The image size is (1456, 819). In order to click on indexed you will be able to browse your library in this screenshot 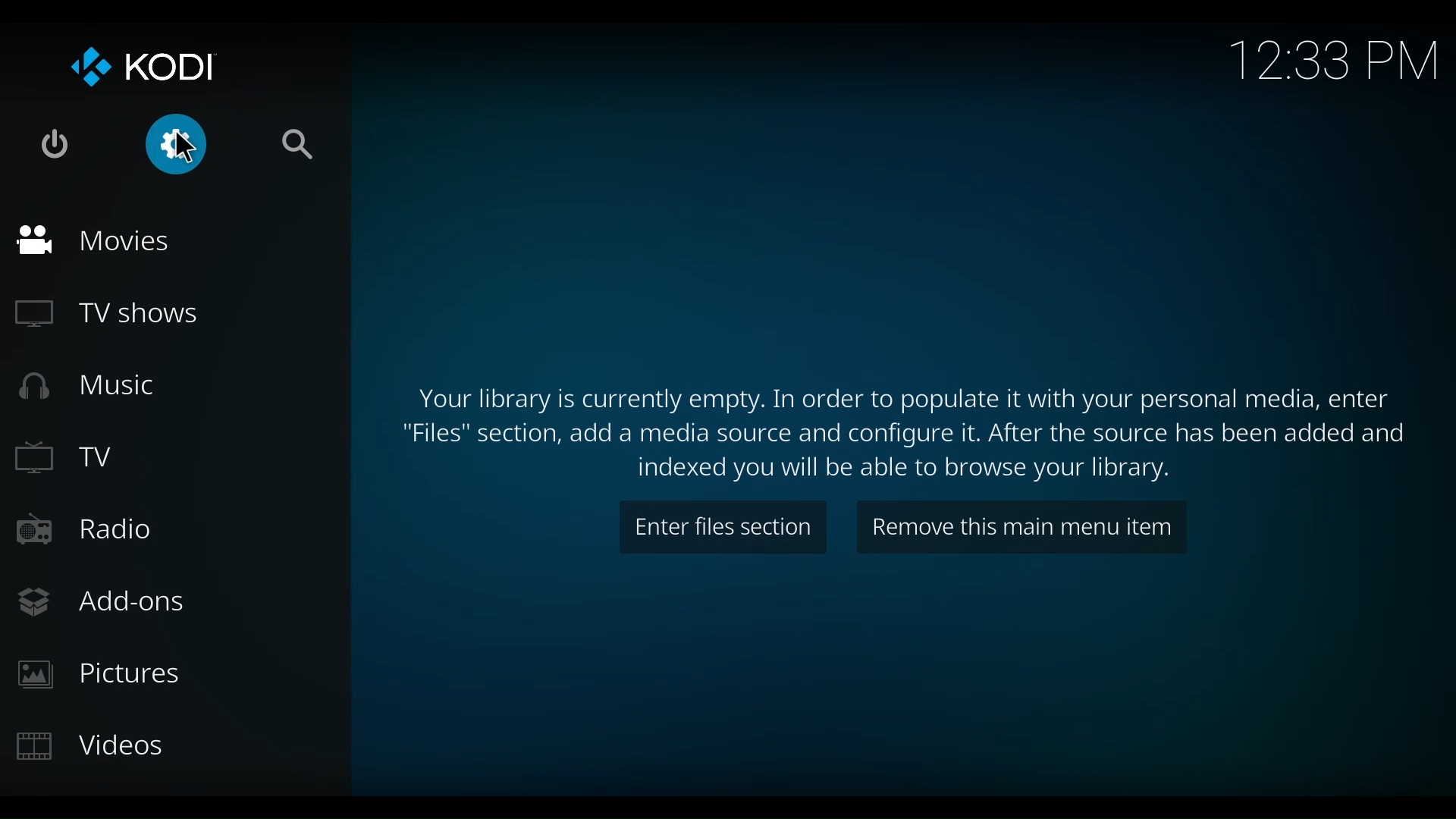, I will do `click(907, 469)`.